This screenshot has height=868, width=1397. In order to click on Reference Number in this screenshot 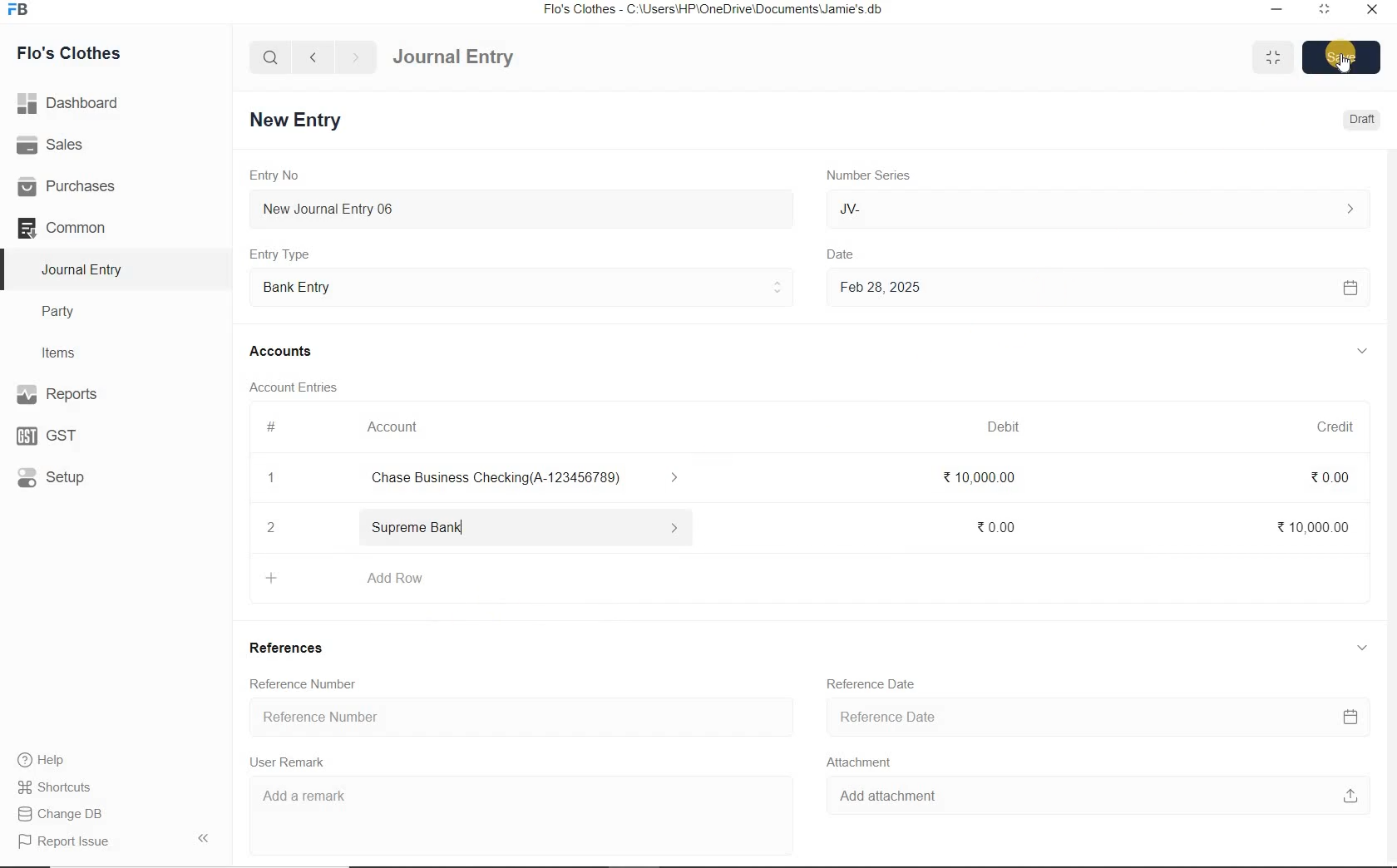, I will do `click(522, 718)`.